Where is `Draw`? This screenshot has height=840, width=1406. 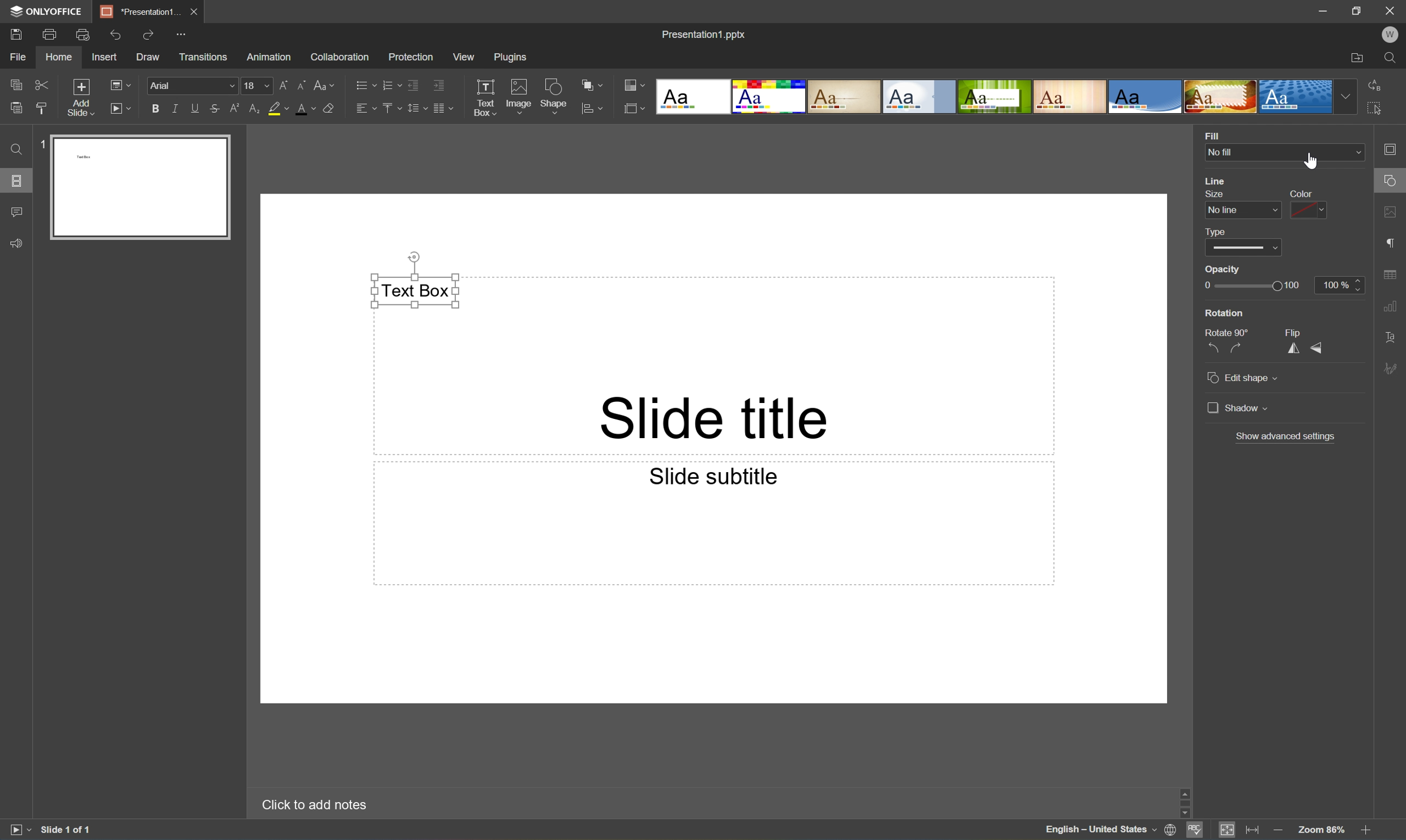 Draw is located at coordinates (148, 56).